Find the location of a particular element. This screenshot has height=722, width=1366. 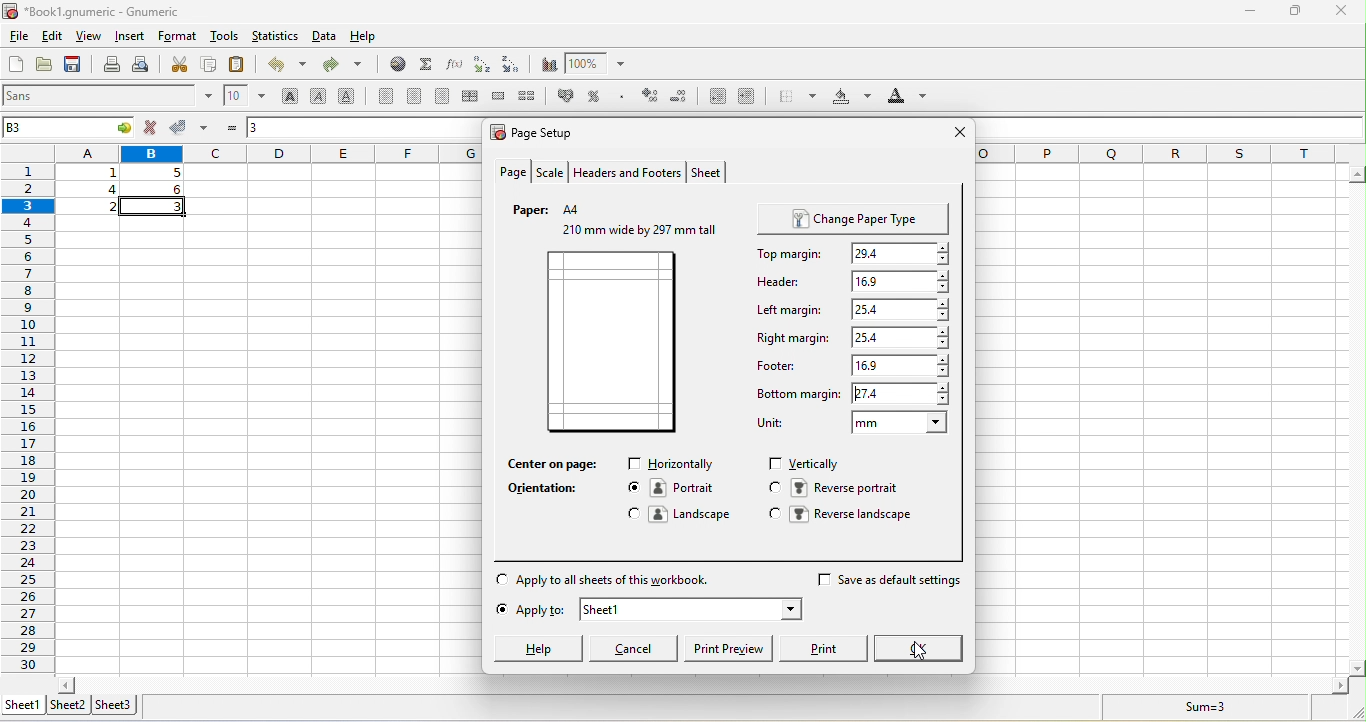

25.4 is located at coordinates (899, 337).